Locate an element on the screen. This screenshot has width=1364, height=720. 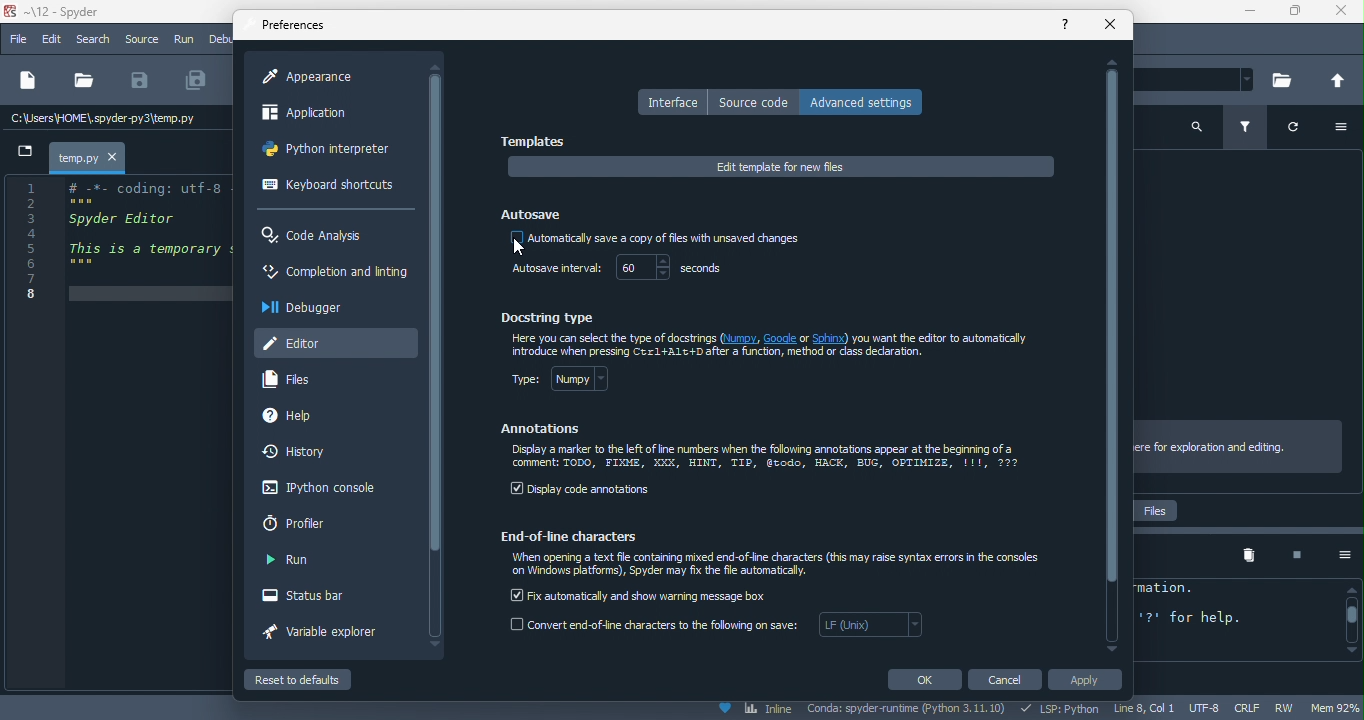
ipython console is located at coordinates (315, 489).